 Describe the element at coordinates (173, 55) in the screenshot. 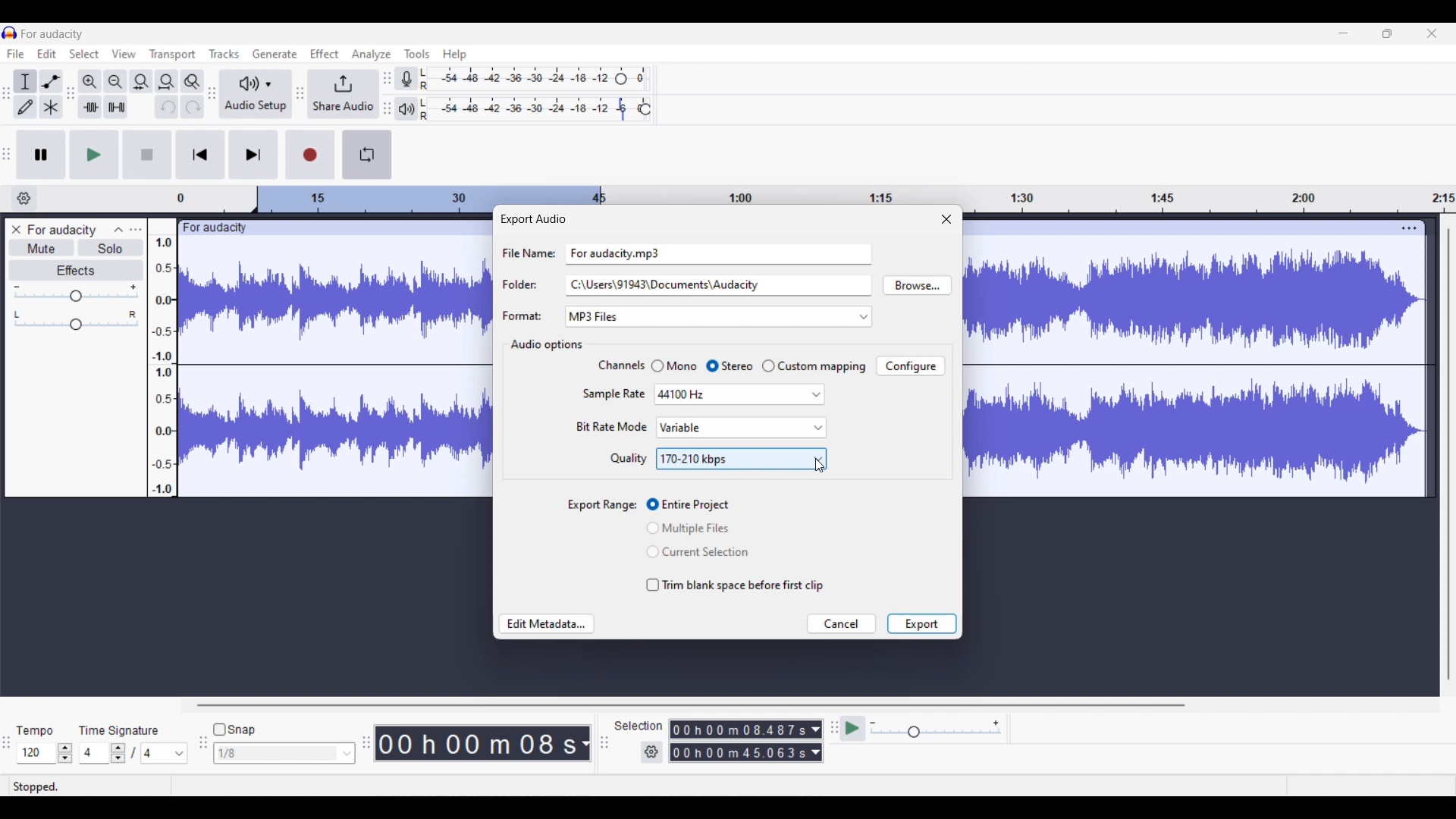

I see `Transport menu` at that location.